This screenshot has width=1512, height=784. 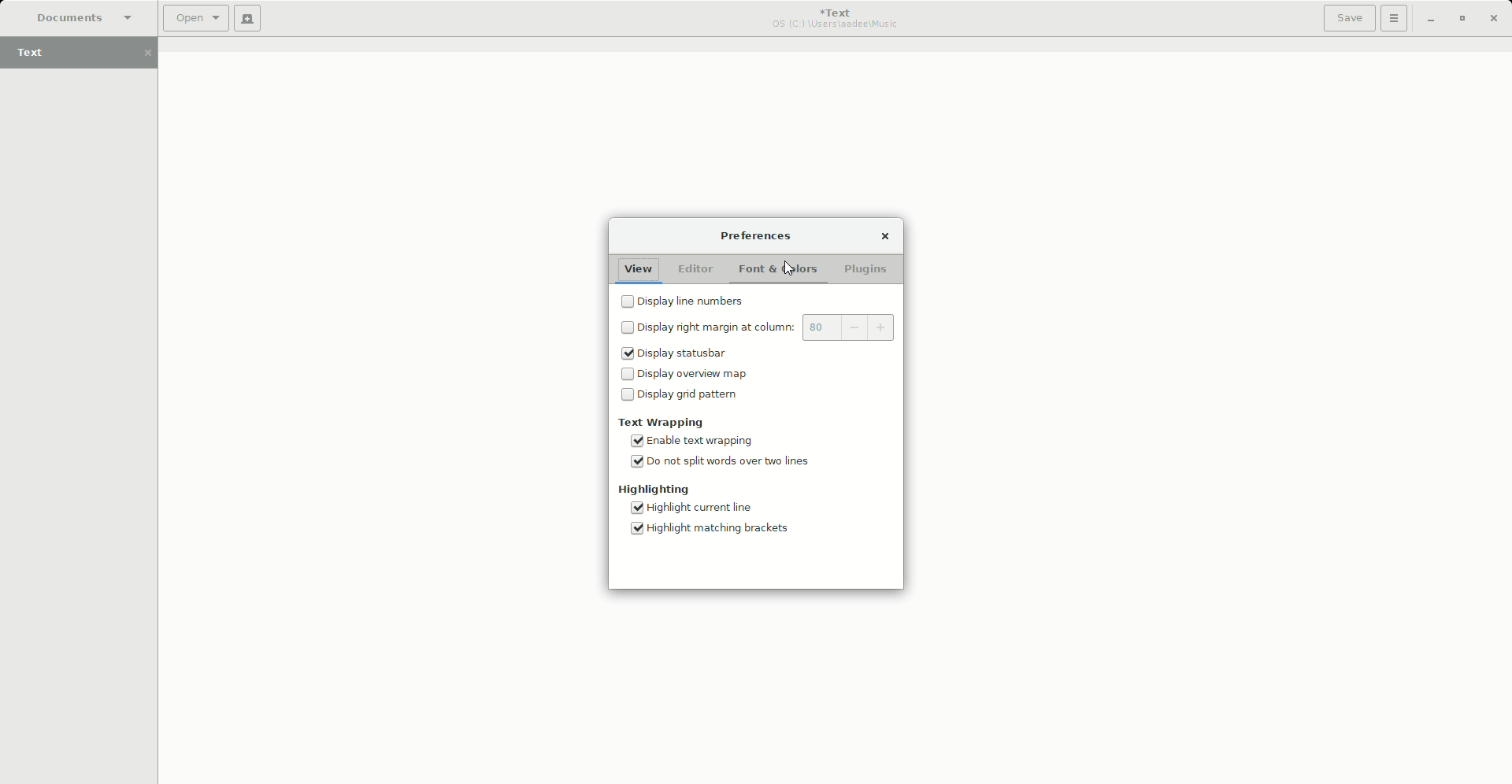 I want to click on New, so click(x=248, y=18).